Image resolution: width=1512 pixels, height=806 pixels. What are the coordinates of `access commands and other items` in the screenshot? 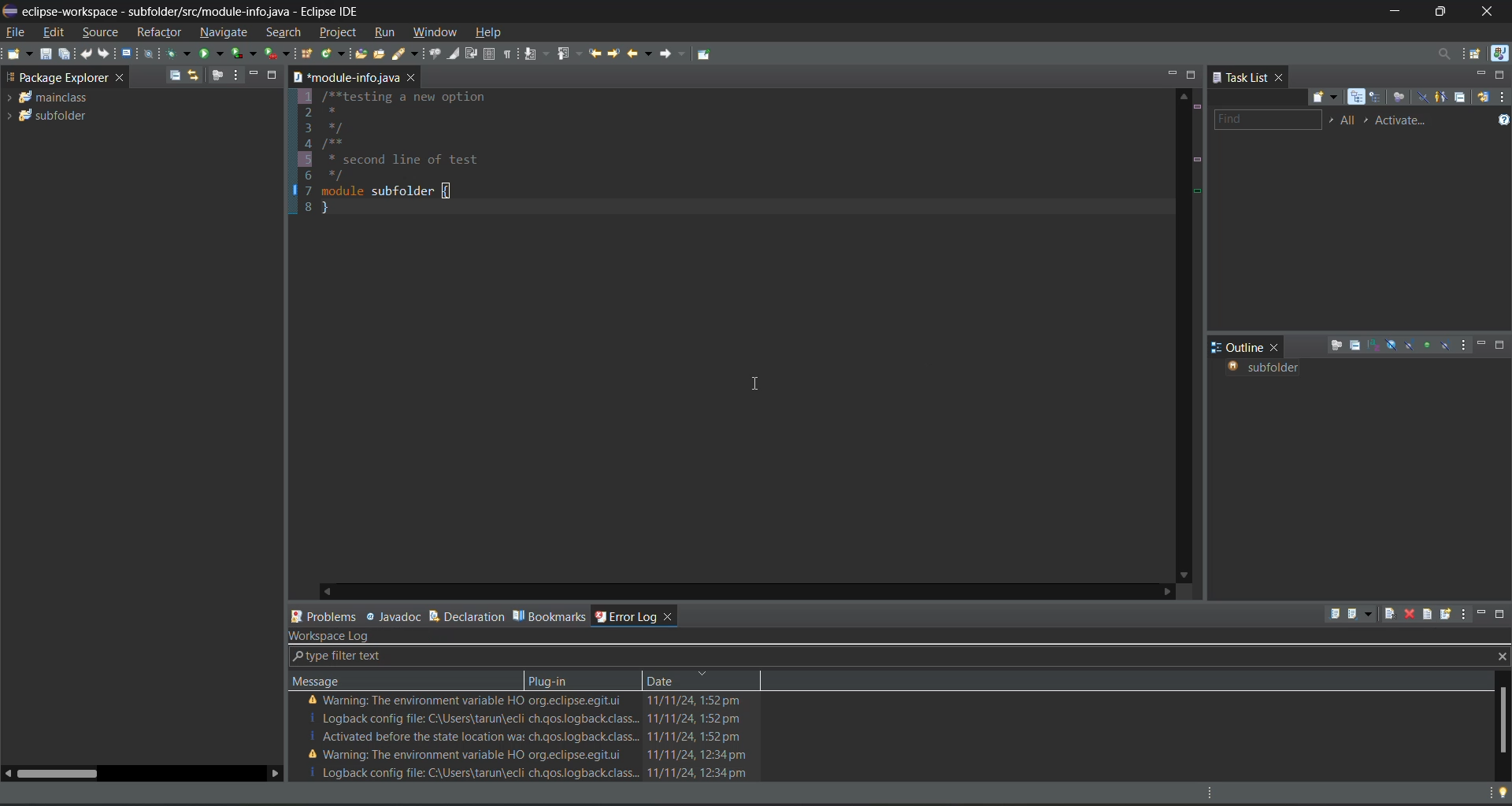 It's located at (1444, 54).